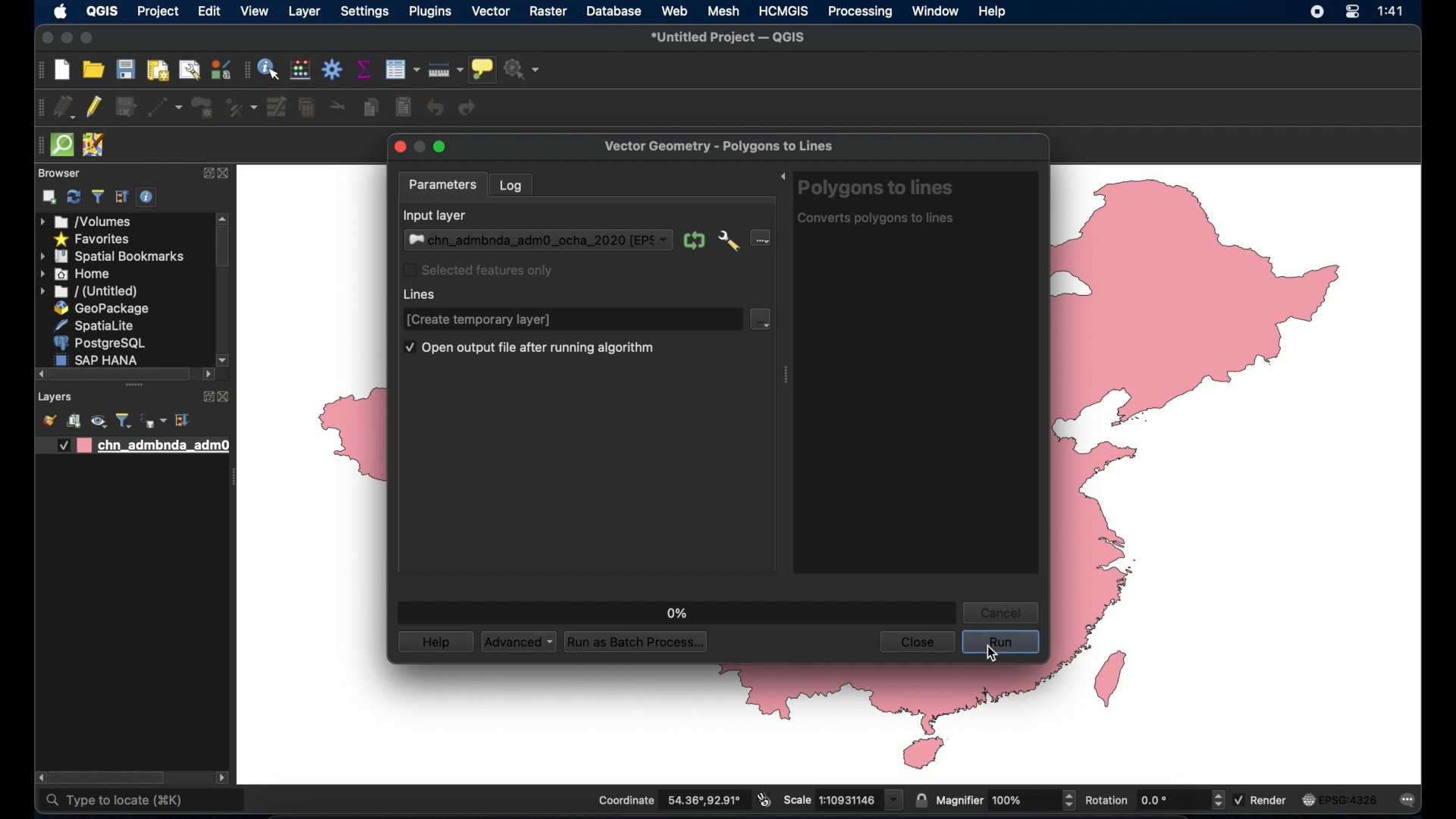 The height and width of the screenshot is (819, 1456). Describe the element at coordinates (64, 146) in the screenshot. I see `quick osm` at that location.